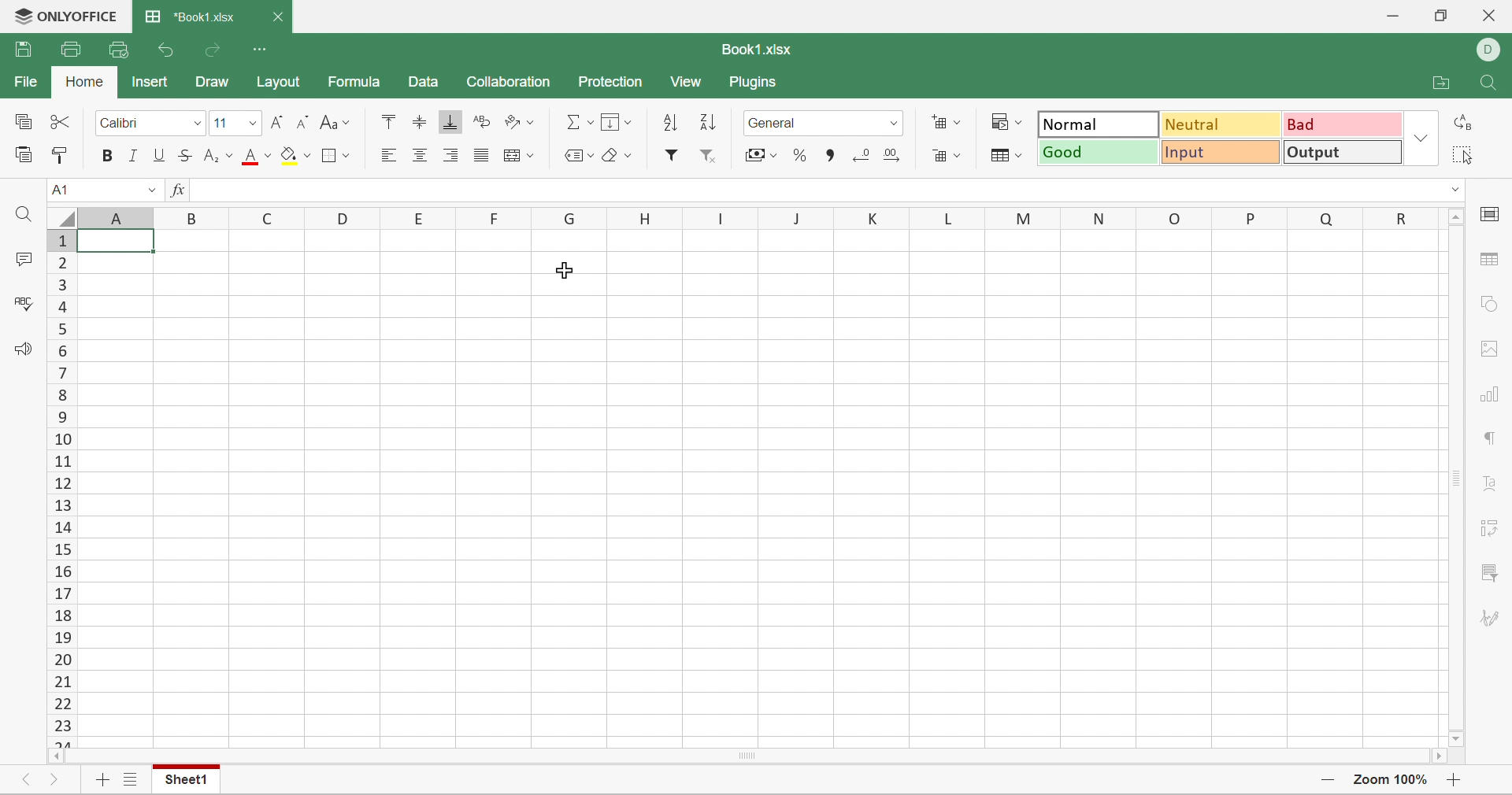 The image size is (1512, 795). I want to click on Fonts dropdown, so click(252, 125).